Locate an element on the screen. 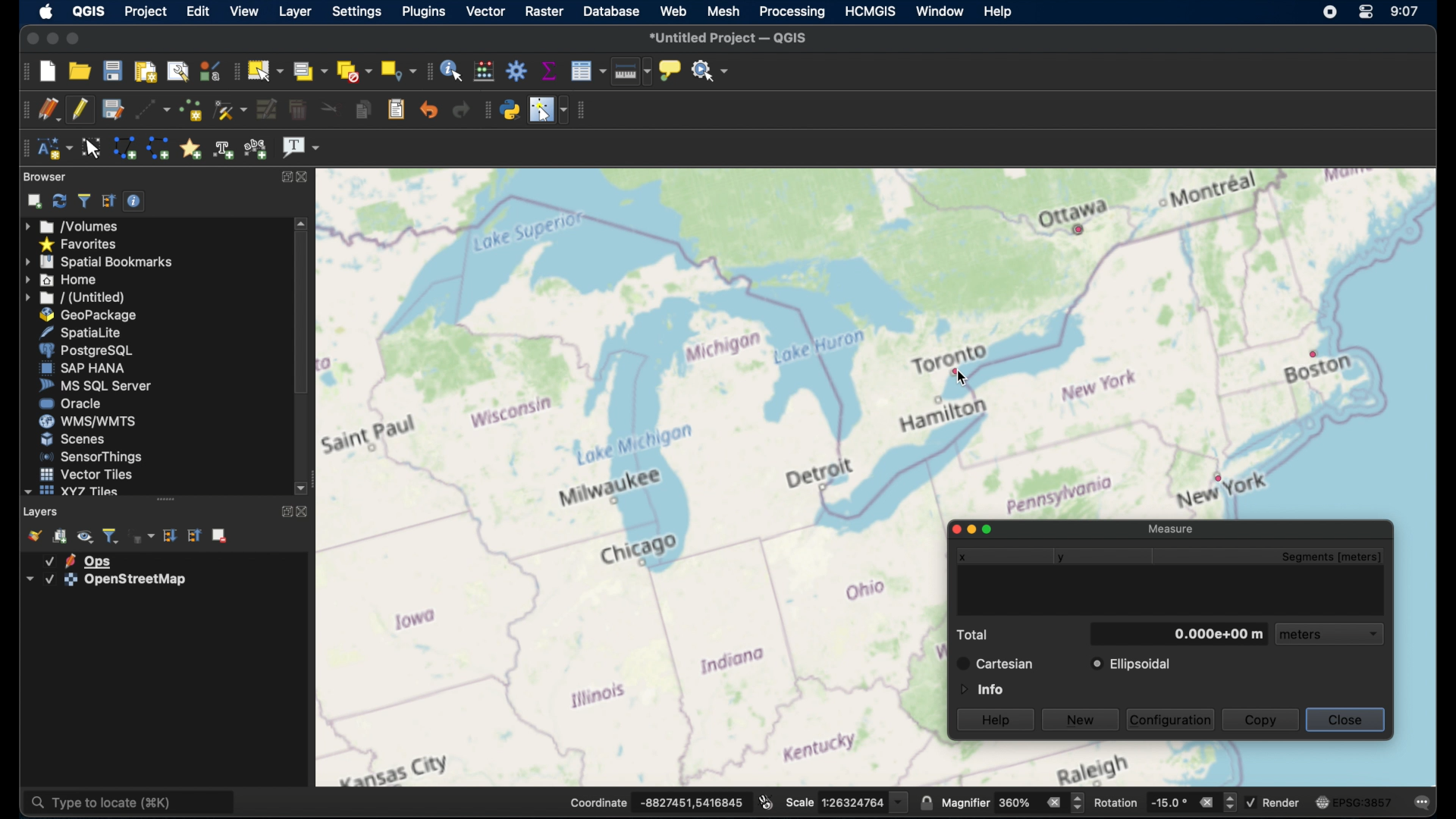 This screenshot has width=1456, height=819. information is located at coordinates (980, 688).